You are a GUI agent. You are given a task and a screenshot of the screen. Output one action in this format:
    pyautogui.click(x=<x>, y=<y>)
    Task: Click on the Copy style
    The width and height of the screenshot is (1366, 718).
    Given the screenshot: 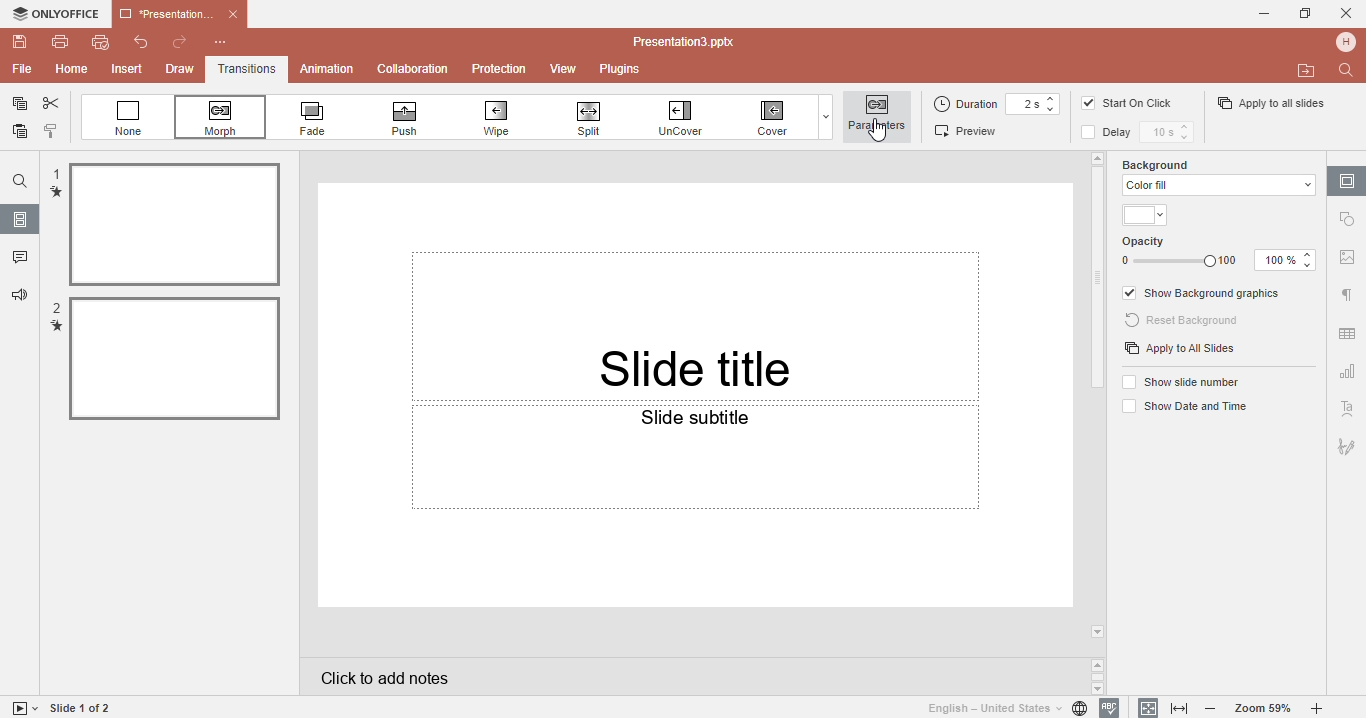 What is the action you would take?
    pyautogui.click(x=52, y=133)
    